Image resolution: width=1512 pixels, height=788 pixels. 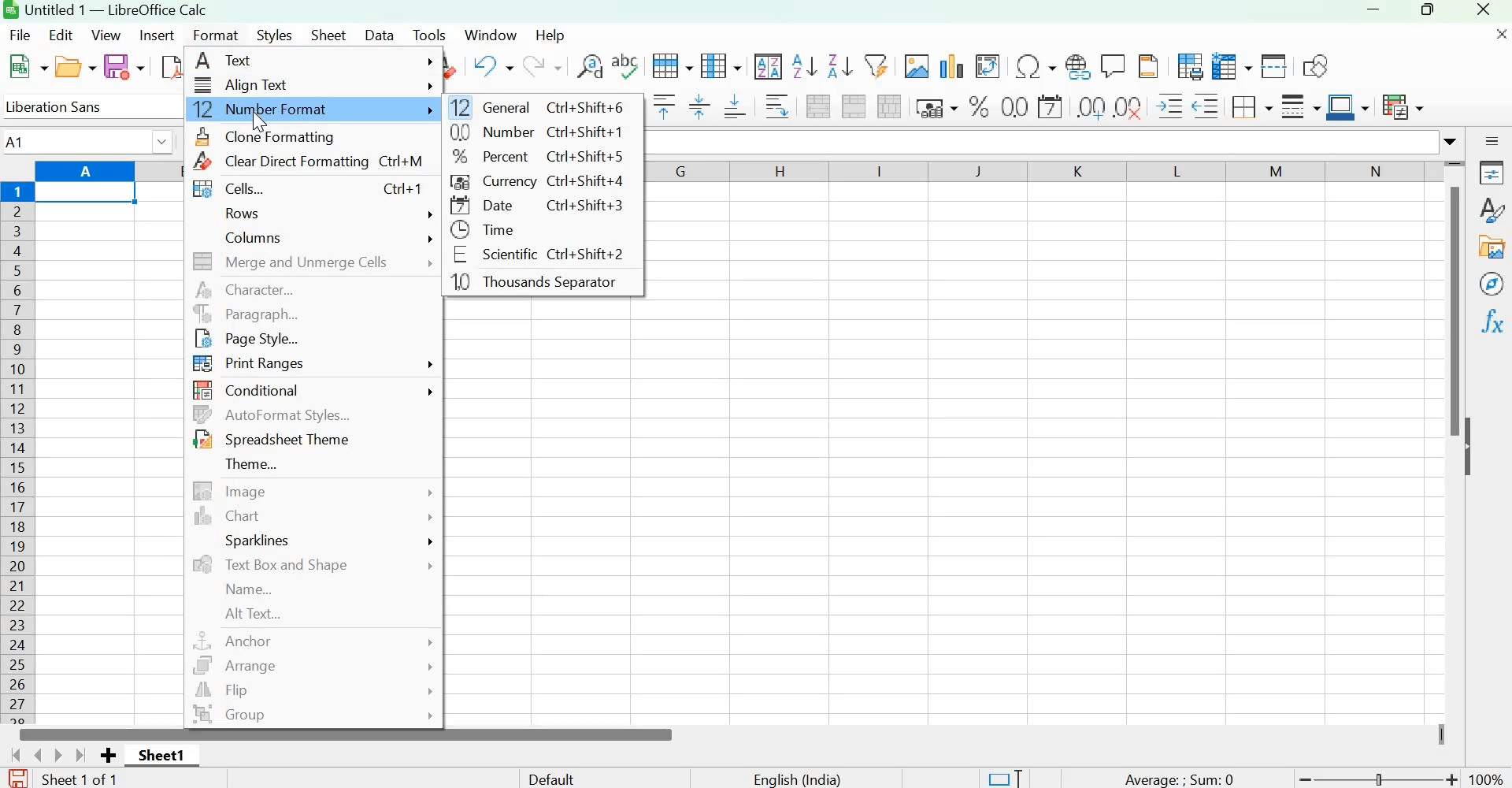 I want to click on File, so click(x=22, y=34).